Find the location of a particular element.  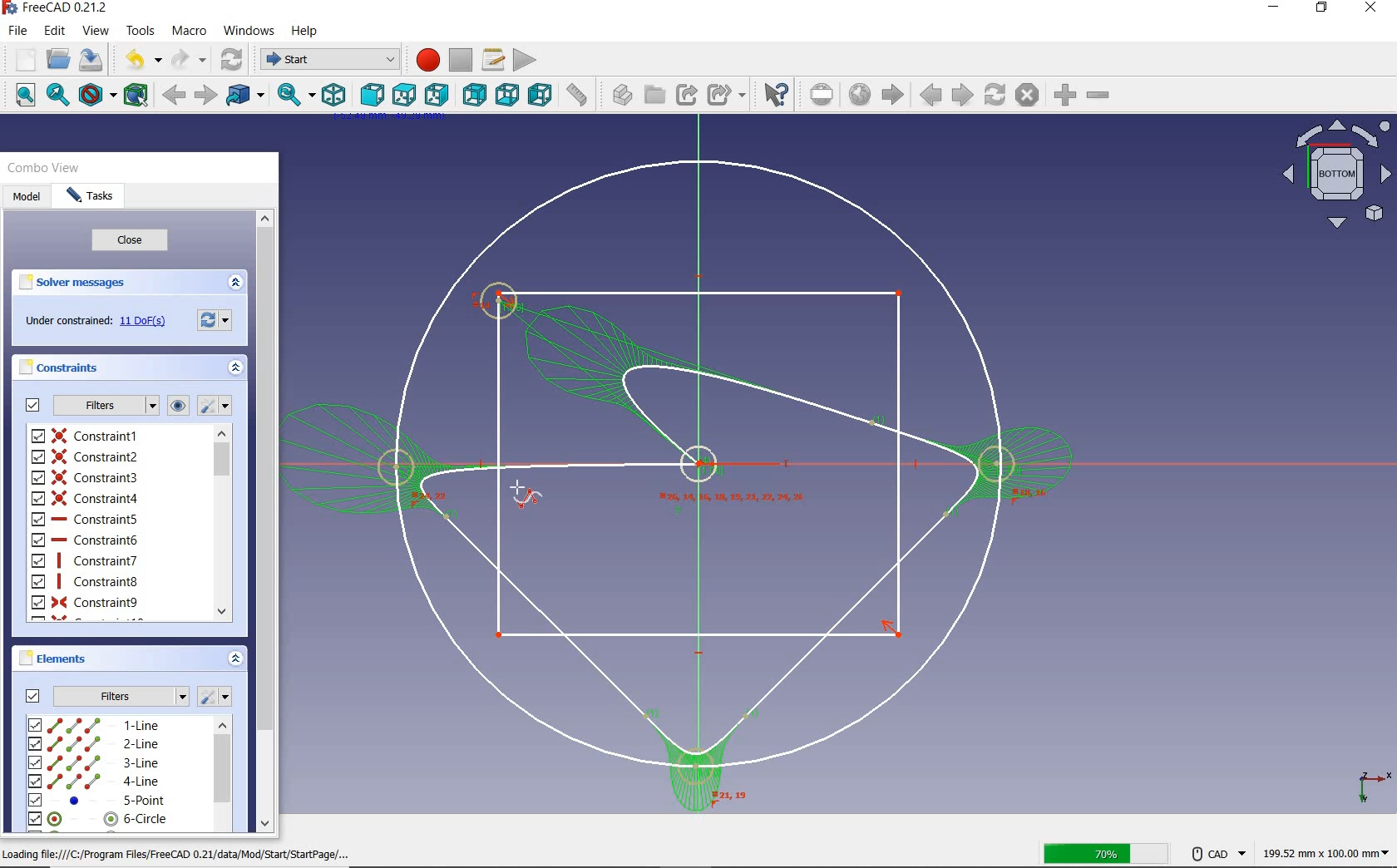

view is located at coordinates (97, 31).